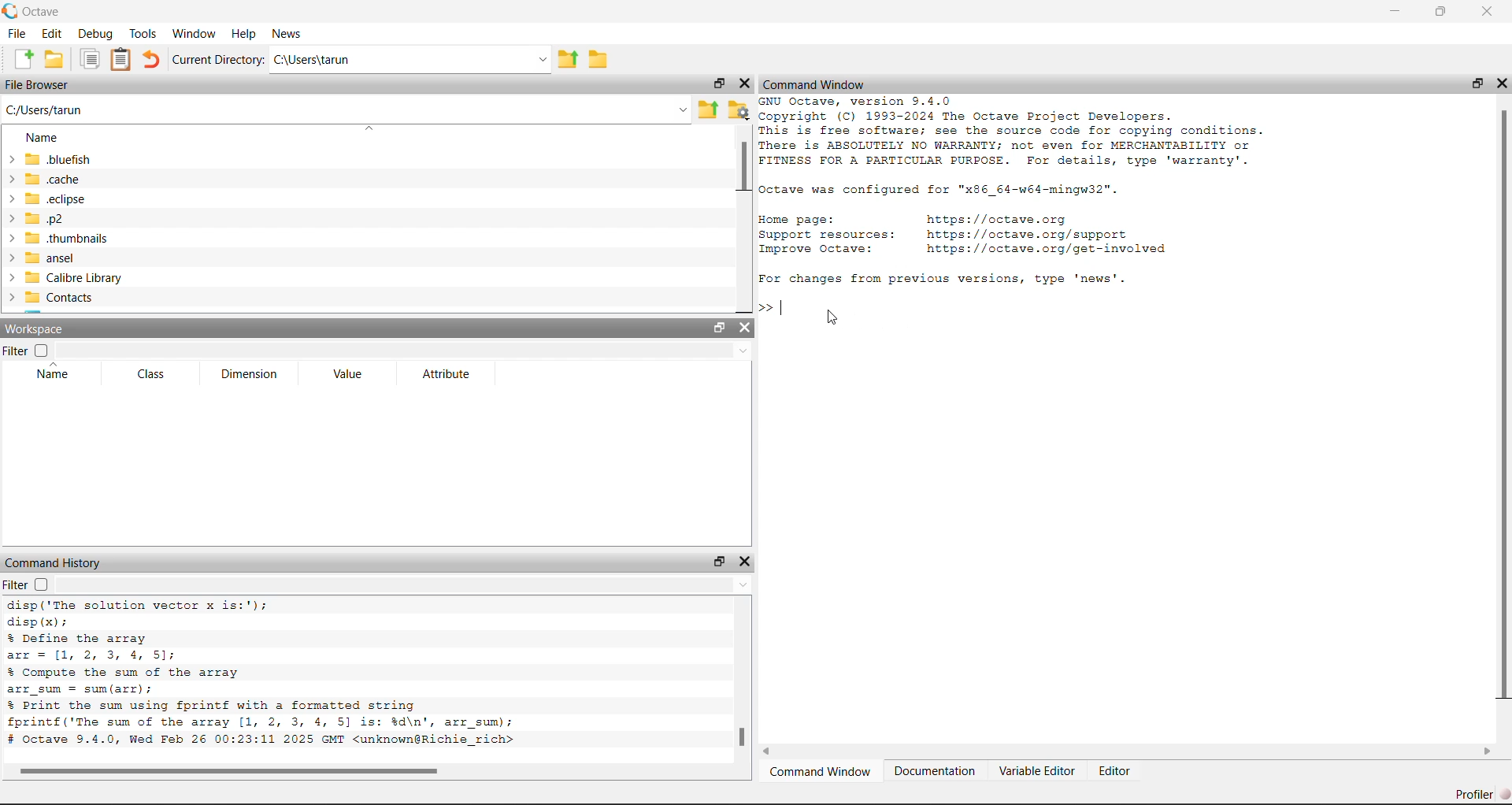 This screenshot has width=1512, height=805. Describe the element at coordinates (96, 34) in the screenshot. I see `Debug` at that location.